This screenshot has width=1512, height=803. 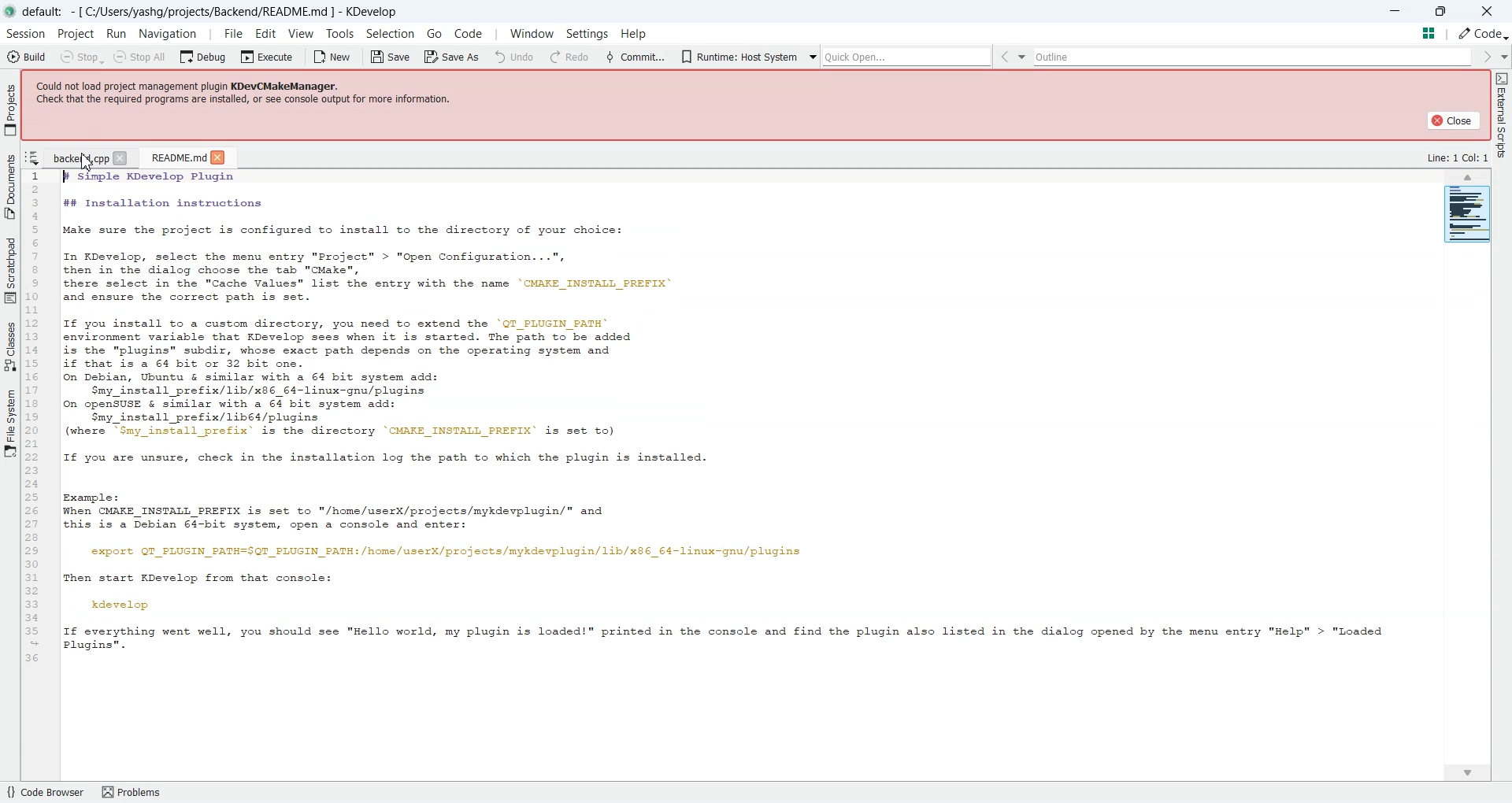 I want to click on Scroll down, so click(x=1466, y=772).